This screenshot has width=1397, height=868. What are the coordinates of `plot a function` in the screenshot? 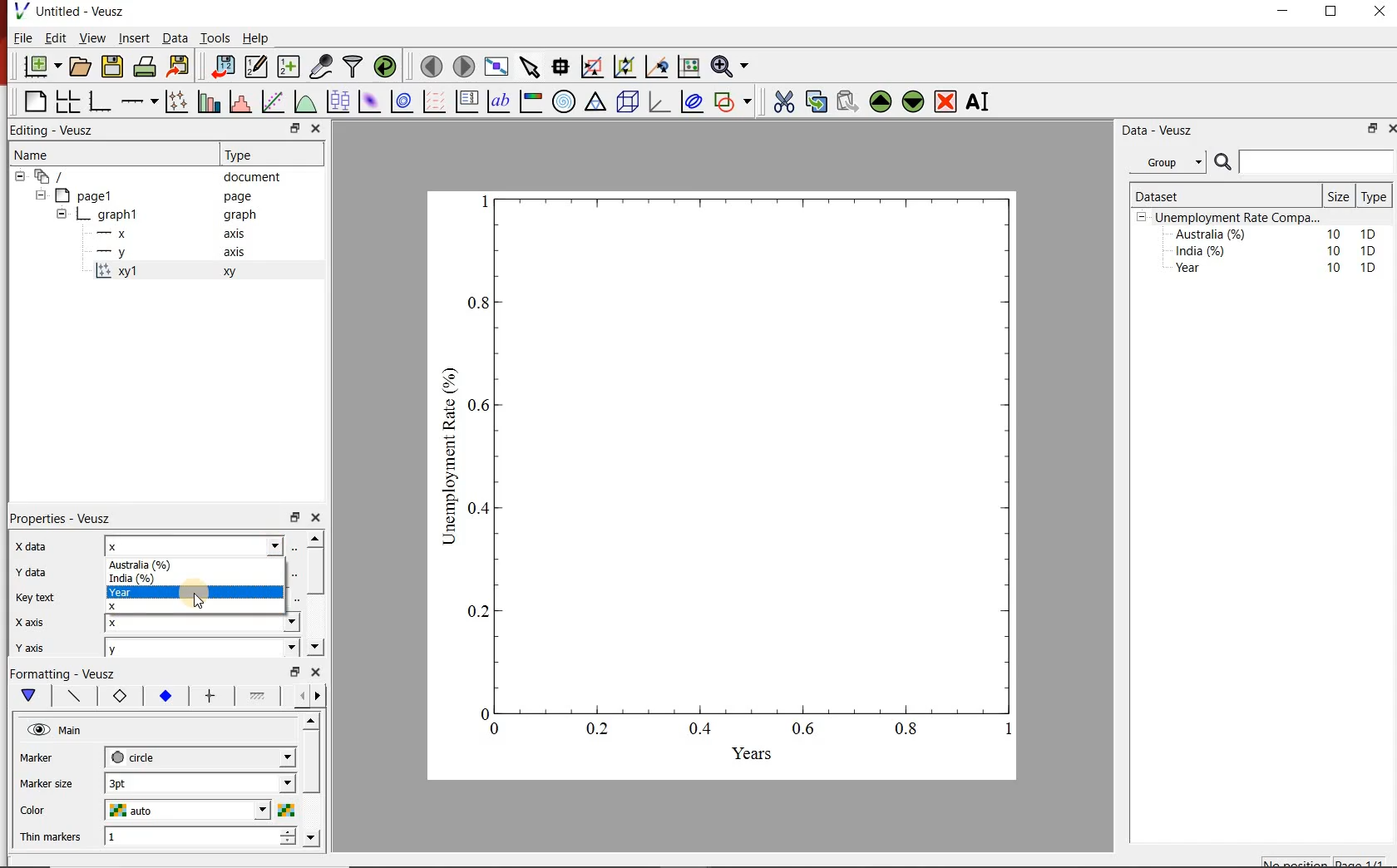 It's located at (305, 101).